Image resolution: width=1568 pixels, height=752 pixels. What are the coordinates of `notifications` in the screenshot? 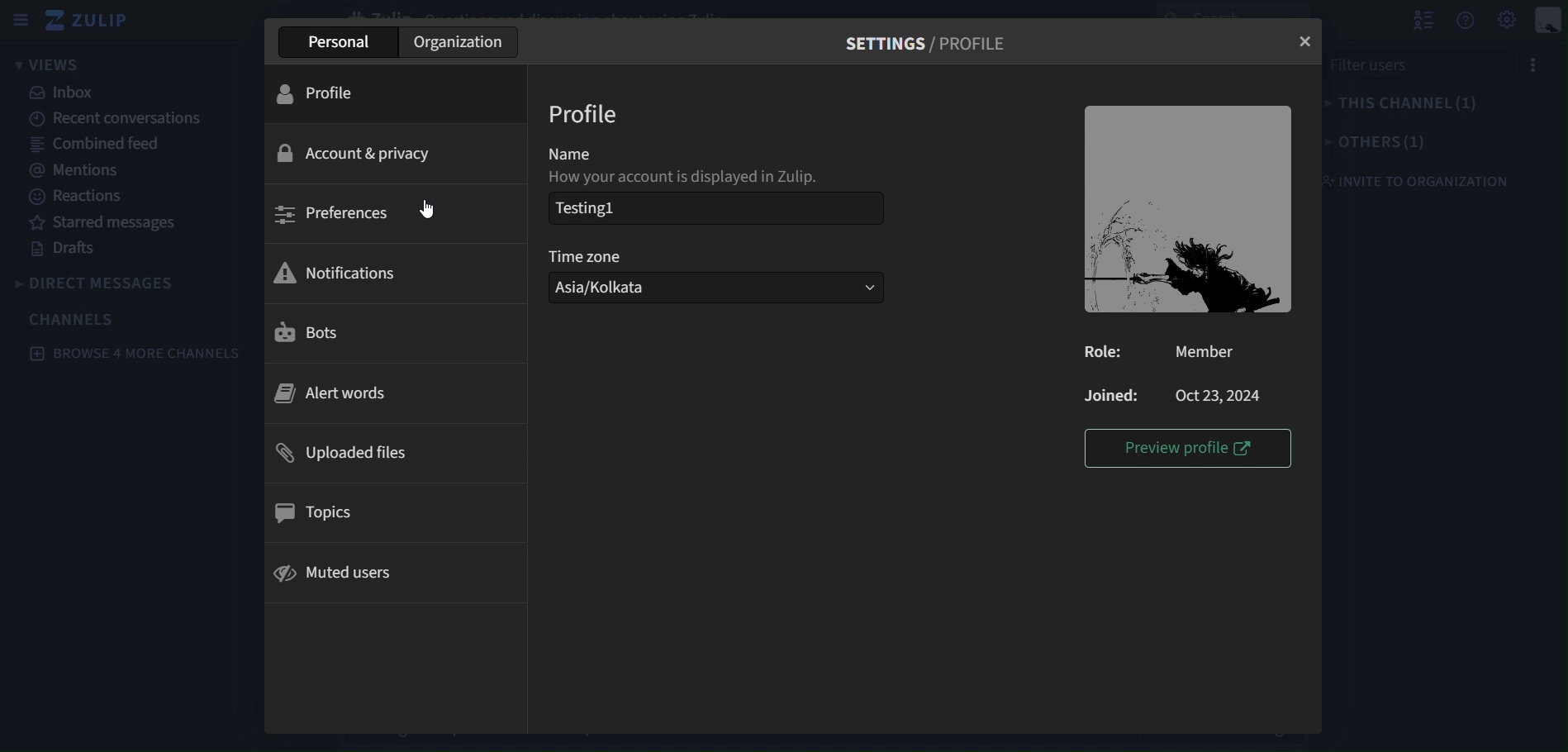 It's located at (391, 273).